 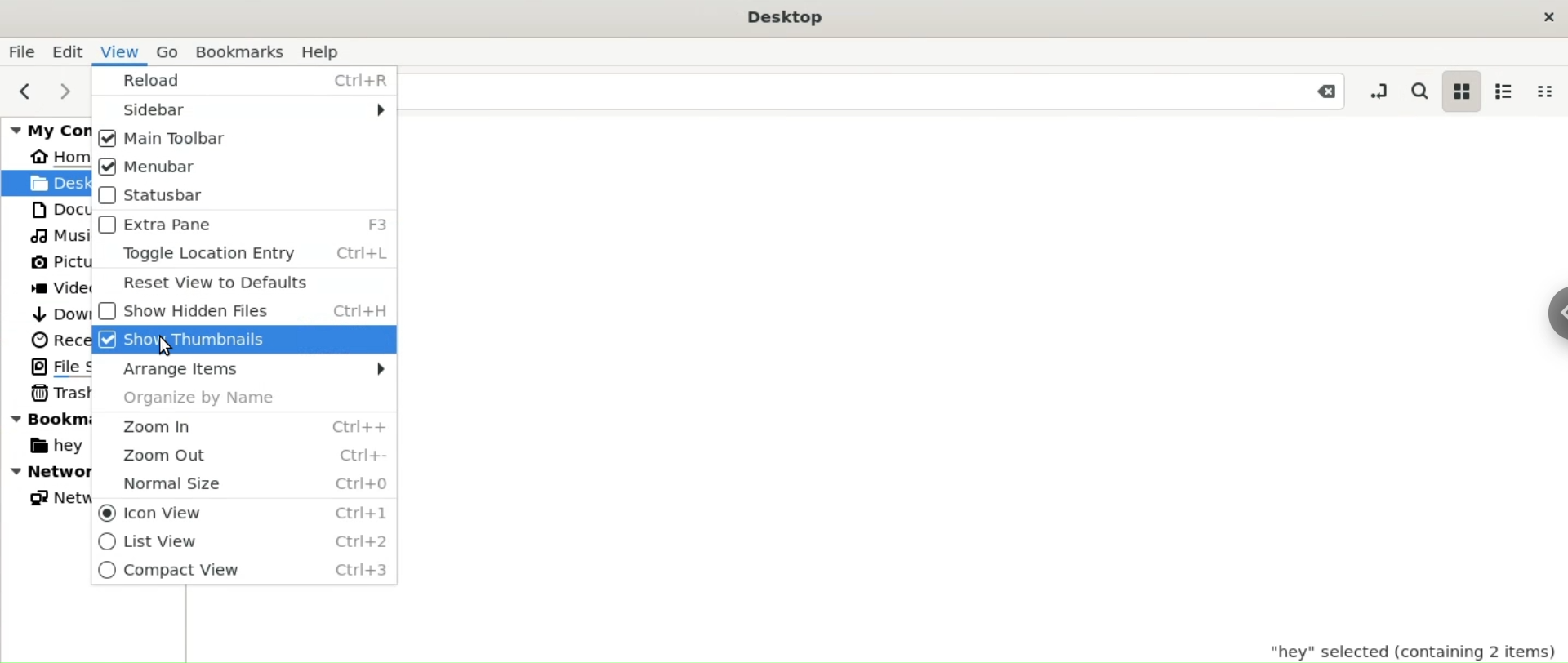 I want to click on Extra Pane, so click(x=241, y=225).